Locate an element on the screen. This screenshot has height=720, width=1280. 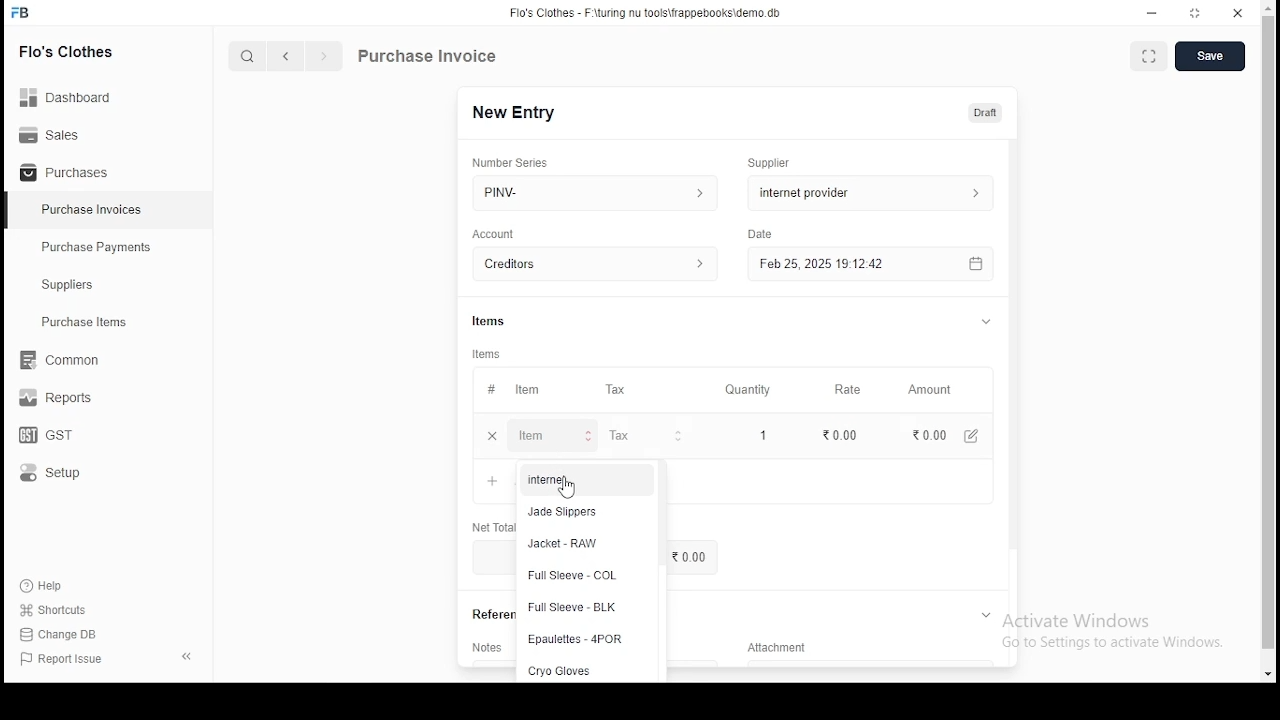
Shortcuts is located at coordinates (61, 610).